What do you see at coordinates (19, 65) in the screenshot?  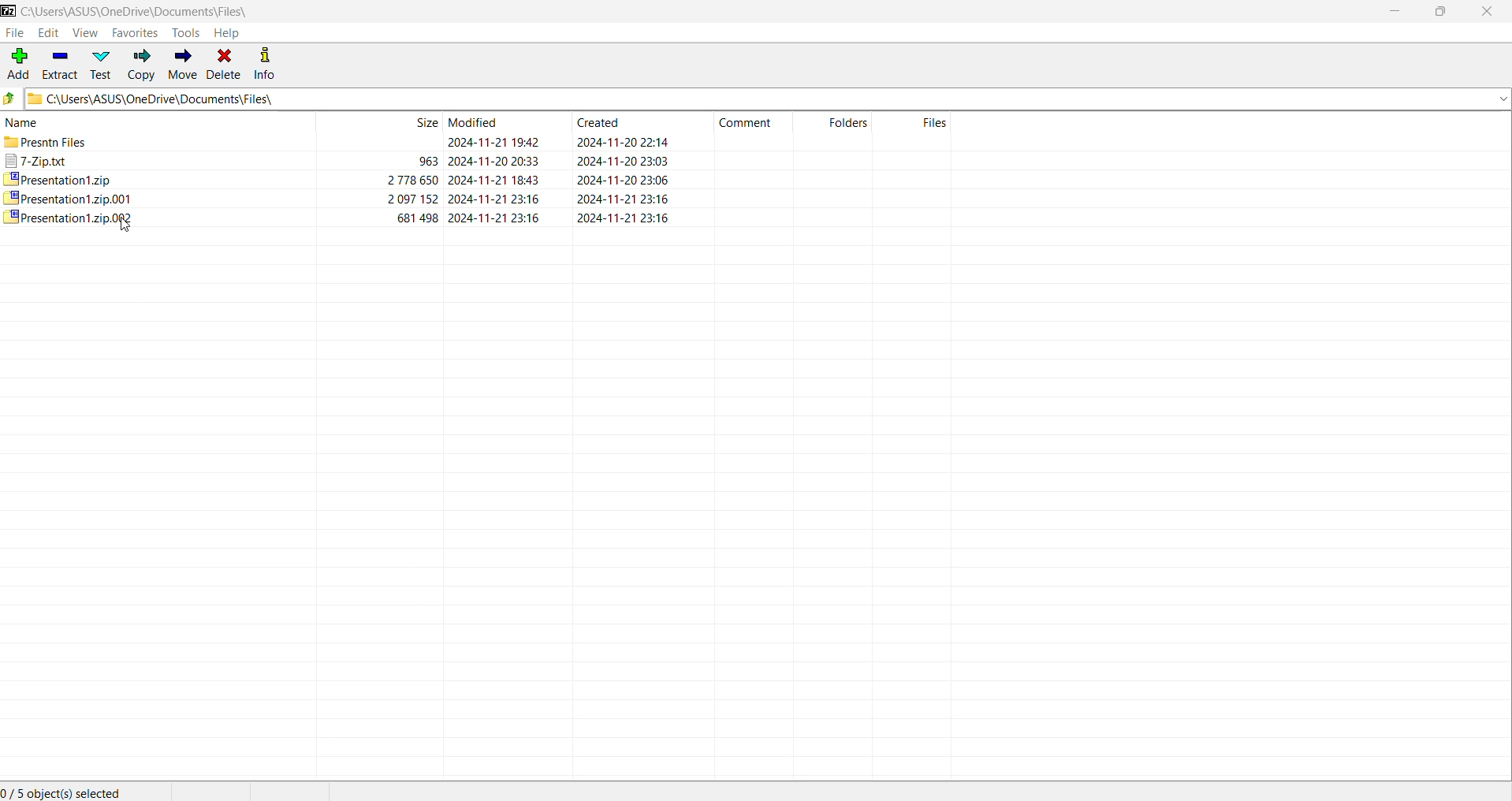 I see `Add` at bounding box center [19, 65].